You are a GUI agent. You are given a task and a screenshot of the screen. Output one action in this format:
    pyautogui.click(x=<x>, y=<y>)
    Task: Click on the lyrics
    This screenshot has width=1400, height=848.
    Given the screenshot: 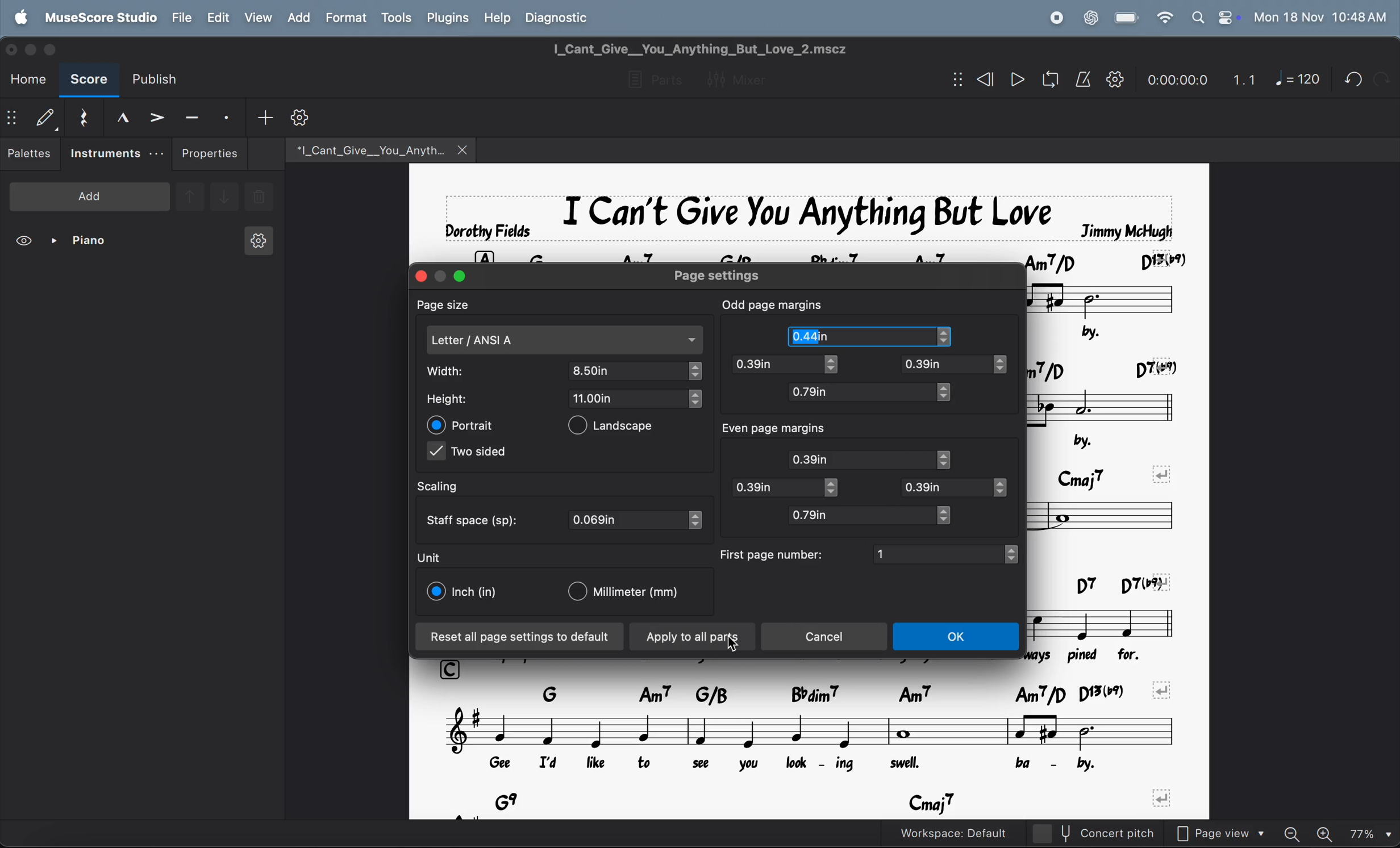 What is the action you would take?
    pyautogui.click(x=1100, y=653)
    